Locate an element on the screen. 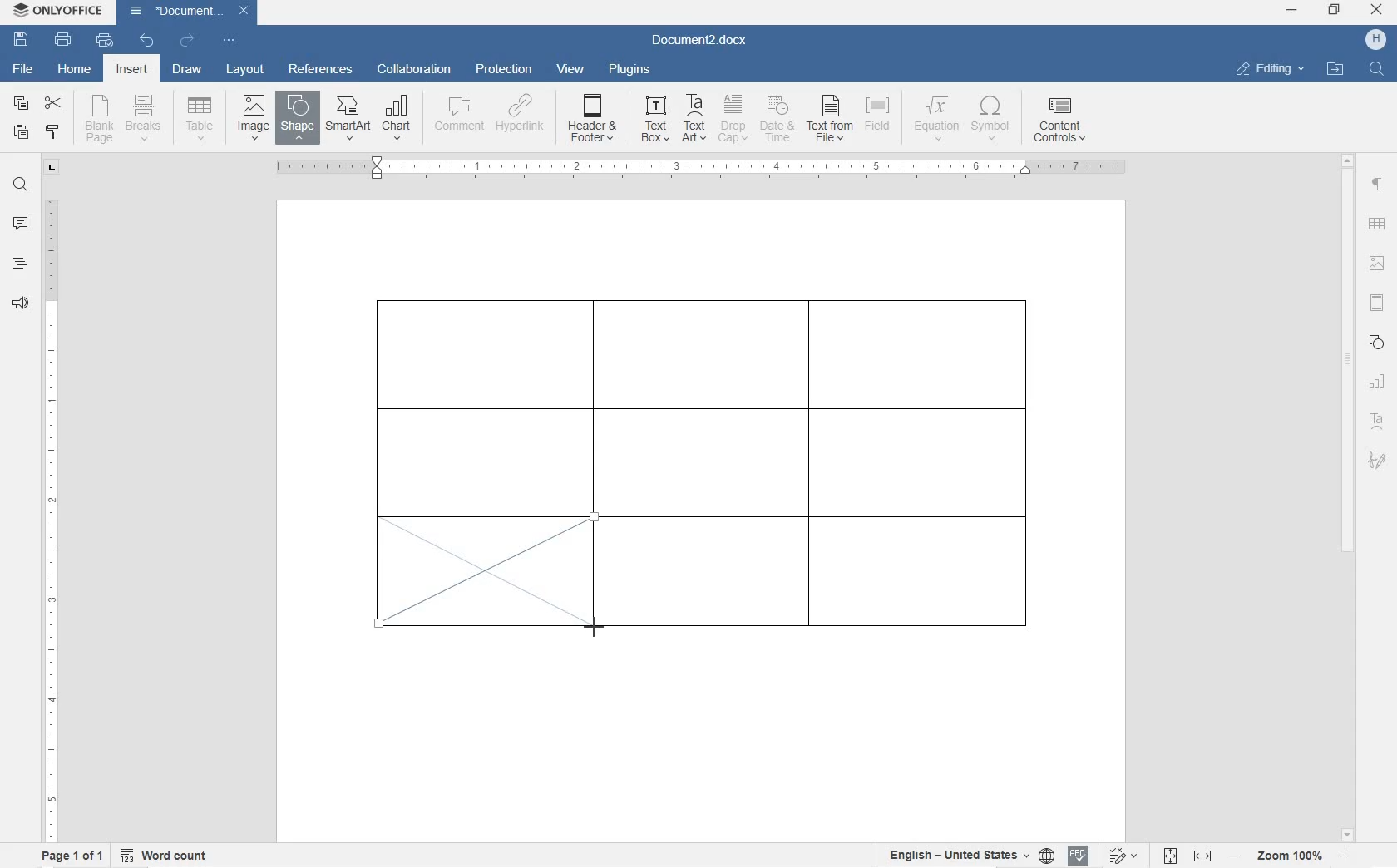 This screenshot has width=1397, height=868. drawing diagonal line border is located at coordinates (488, 570).